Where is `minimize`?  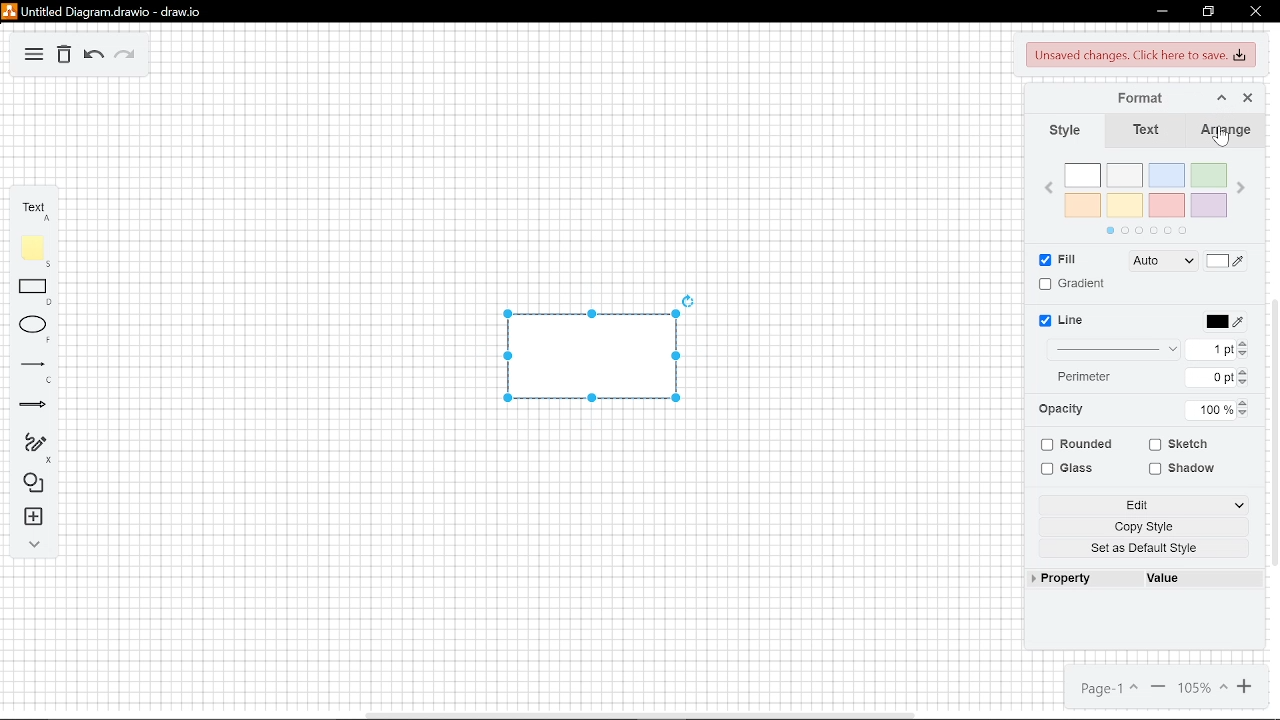
minimize is located at coordinates (1159, 13).